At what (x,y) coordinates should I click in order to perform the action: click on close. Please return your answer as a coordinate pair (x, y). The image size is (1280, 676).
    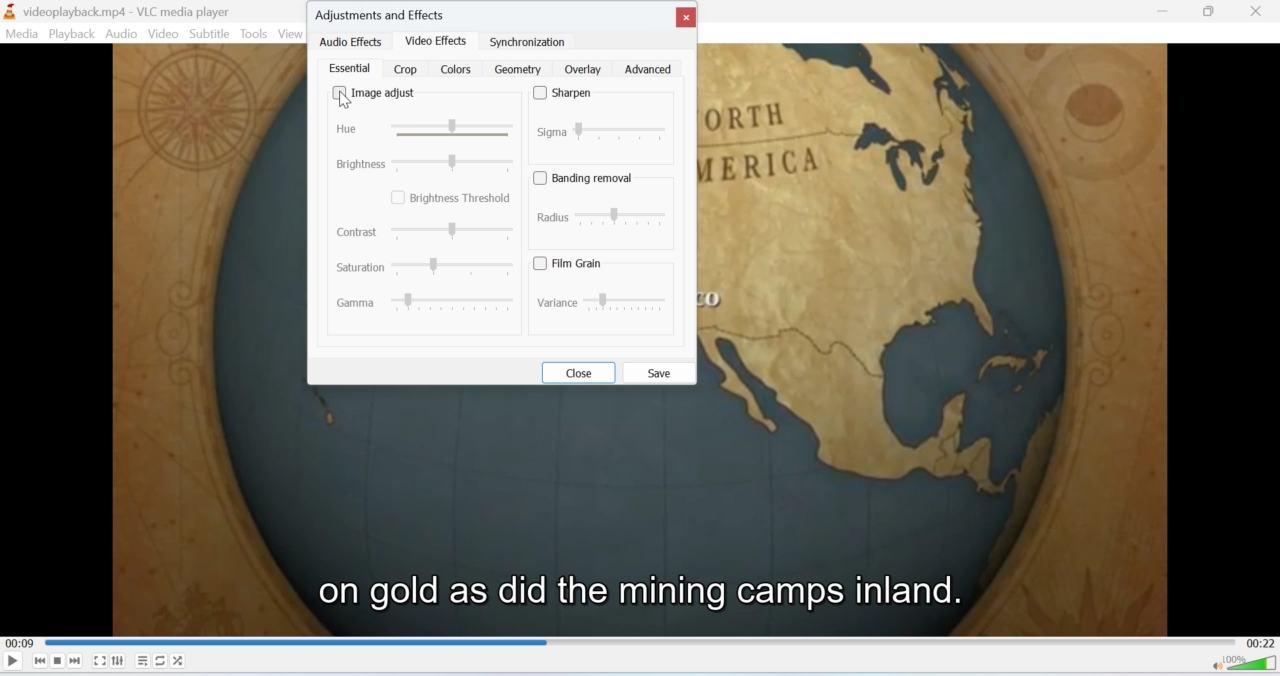
    Looking at the image, I should click on (686, 17).